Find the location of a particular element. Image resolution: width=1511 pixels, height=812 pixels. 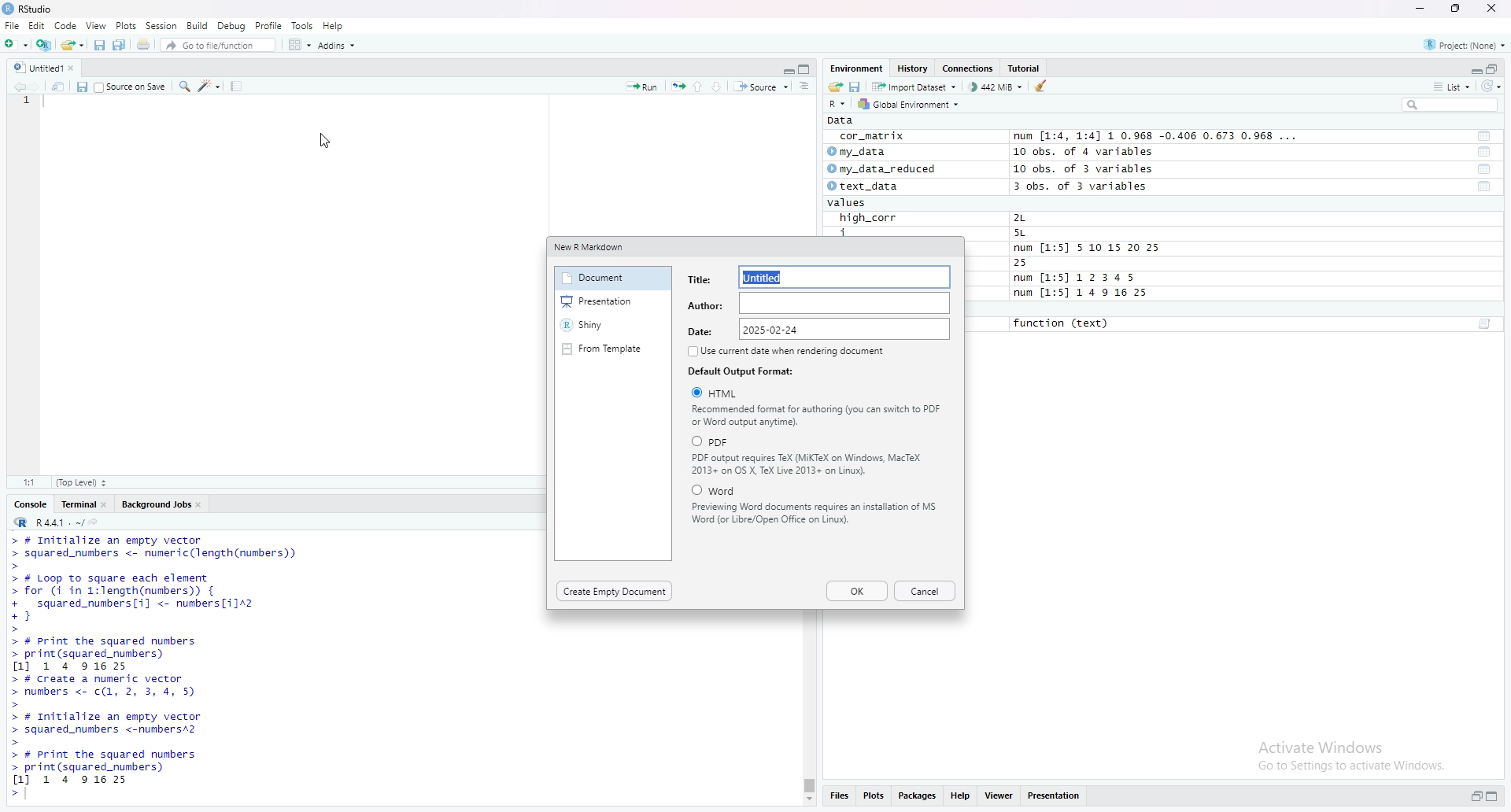

List is located at coordinates (1454, 86).